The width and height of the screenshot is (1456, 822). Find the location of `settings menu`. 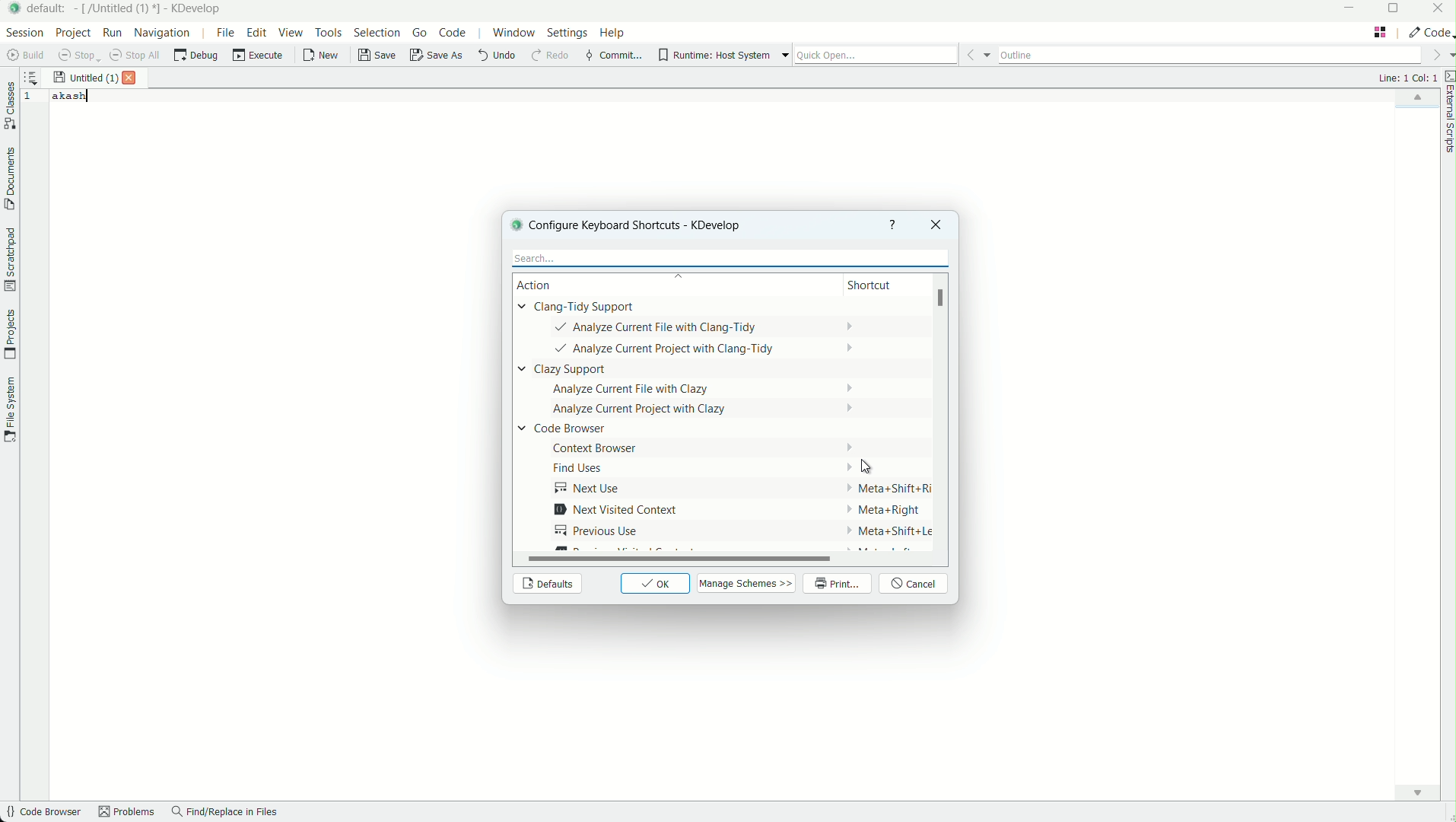

settings menu is located at coordinates (567, 35).